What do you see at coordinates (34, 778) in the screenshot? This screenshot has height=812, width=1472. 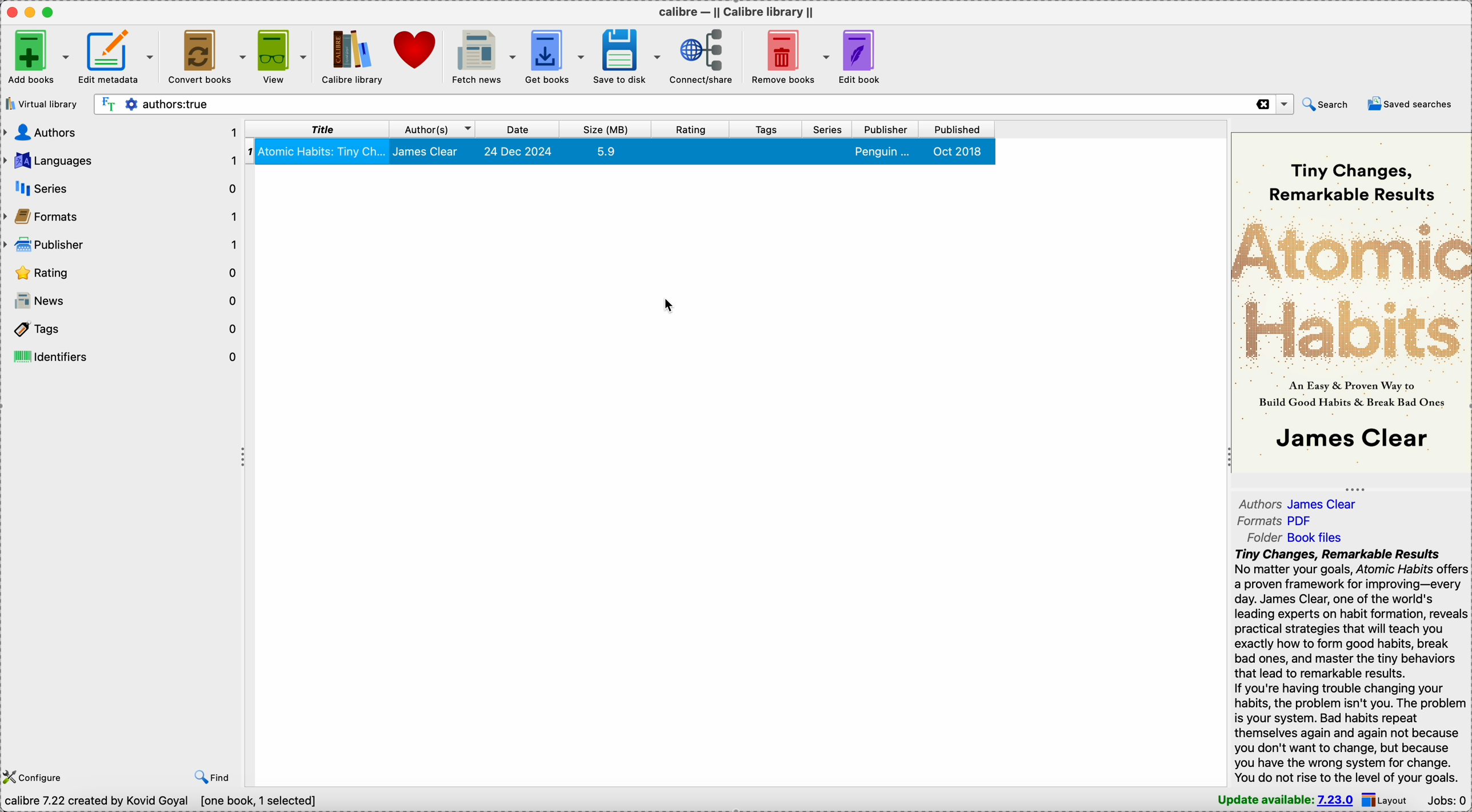 I see `configure` at bounding box center [34, 778].